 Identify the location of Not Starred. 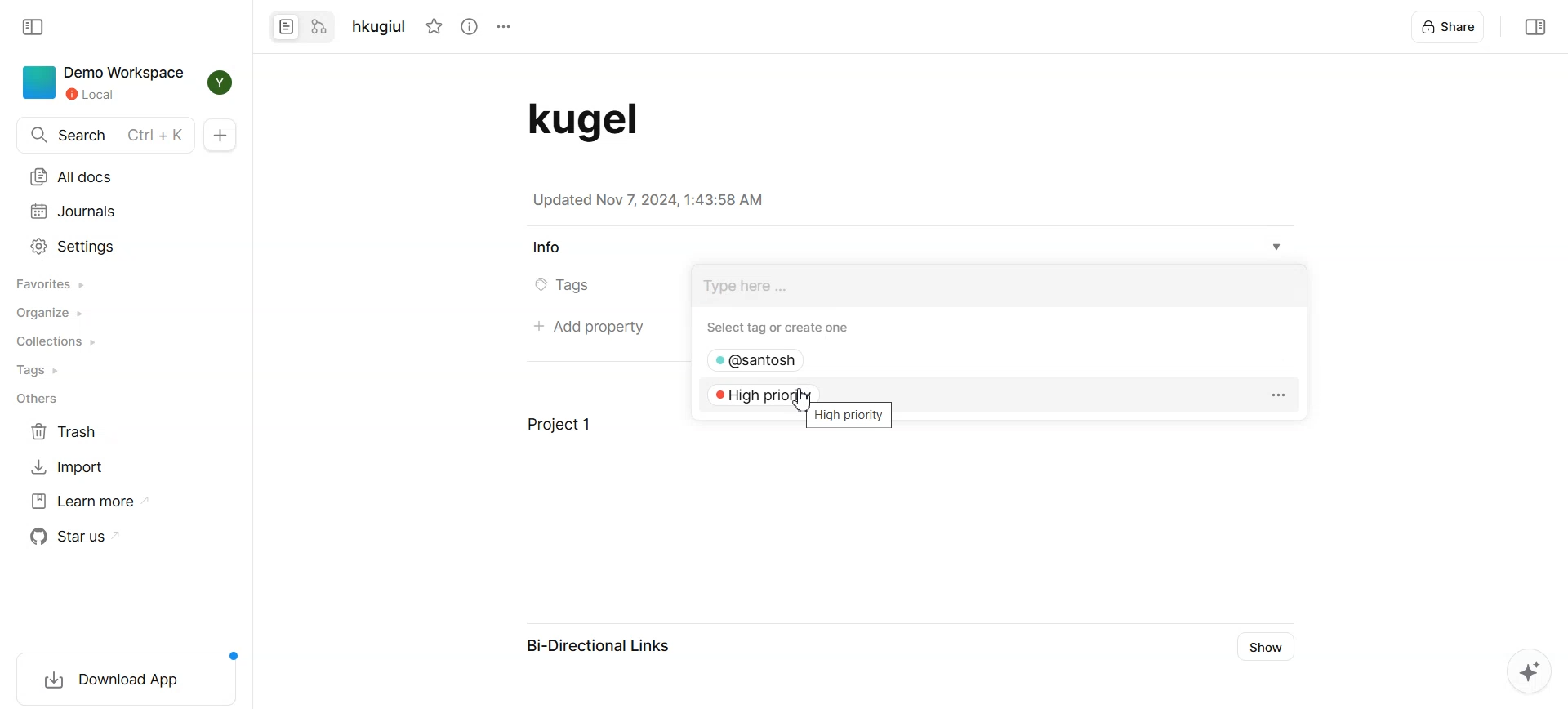
(435, 26).